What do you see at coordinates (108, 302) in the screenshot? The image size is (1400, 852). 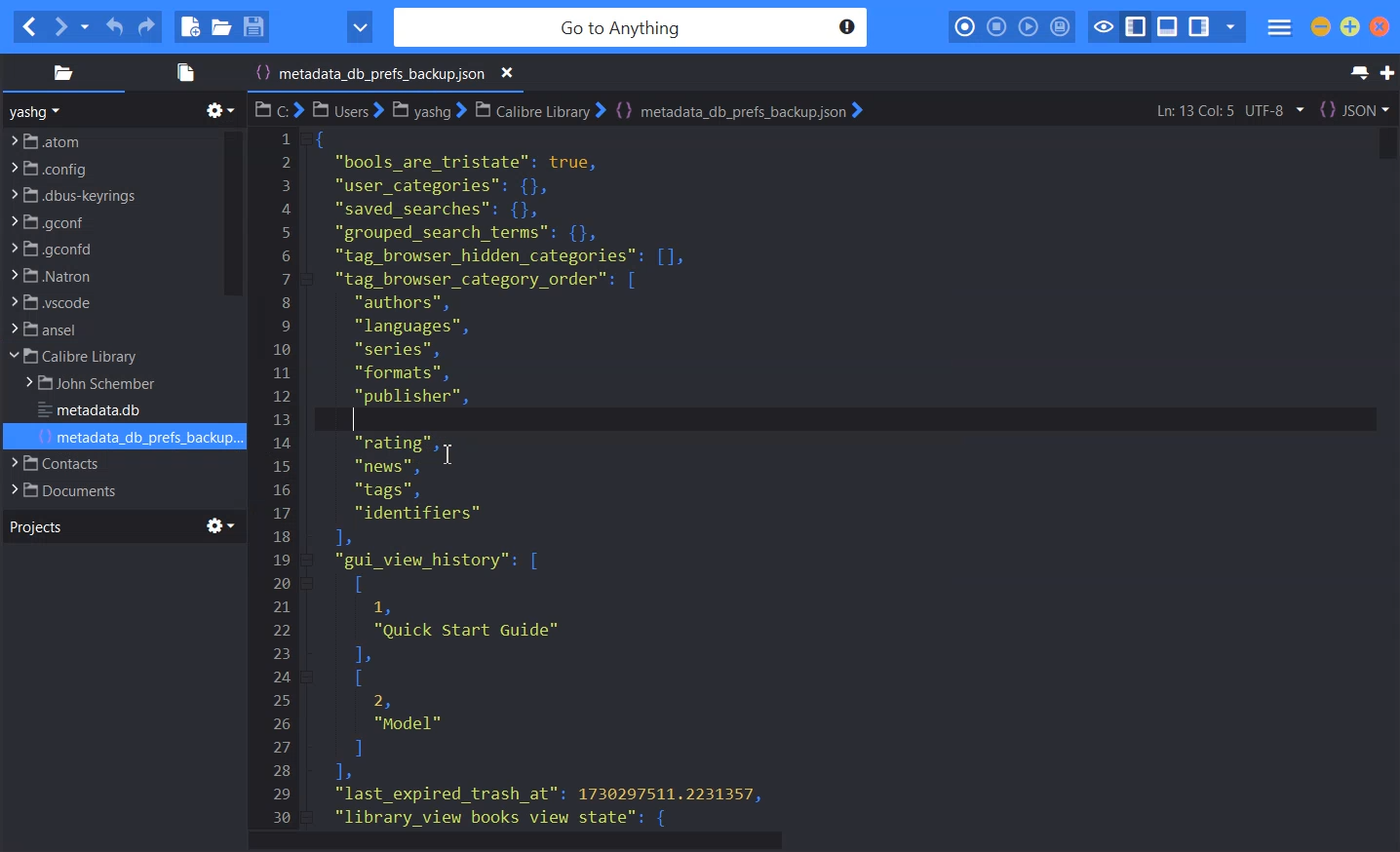 I see `File` at bounding box center [108, 302].